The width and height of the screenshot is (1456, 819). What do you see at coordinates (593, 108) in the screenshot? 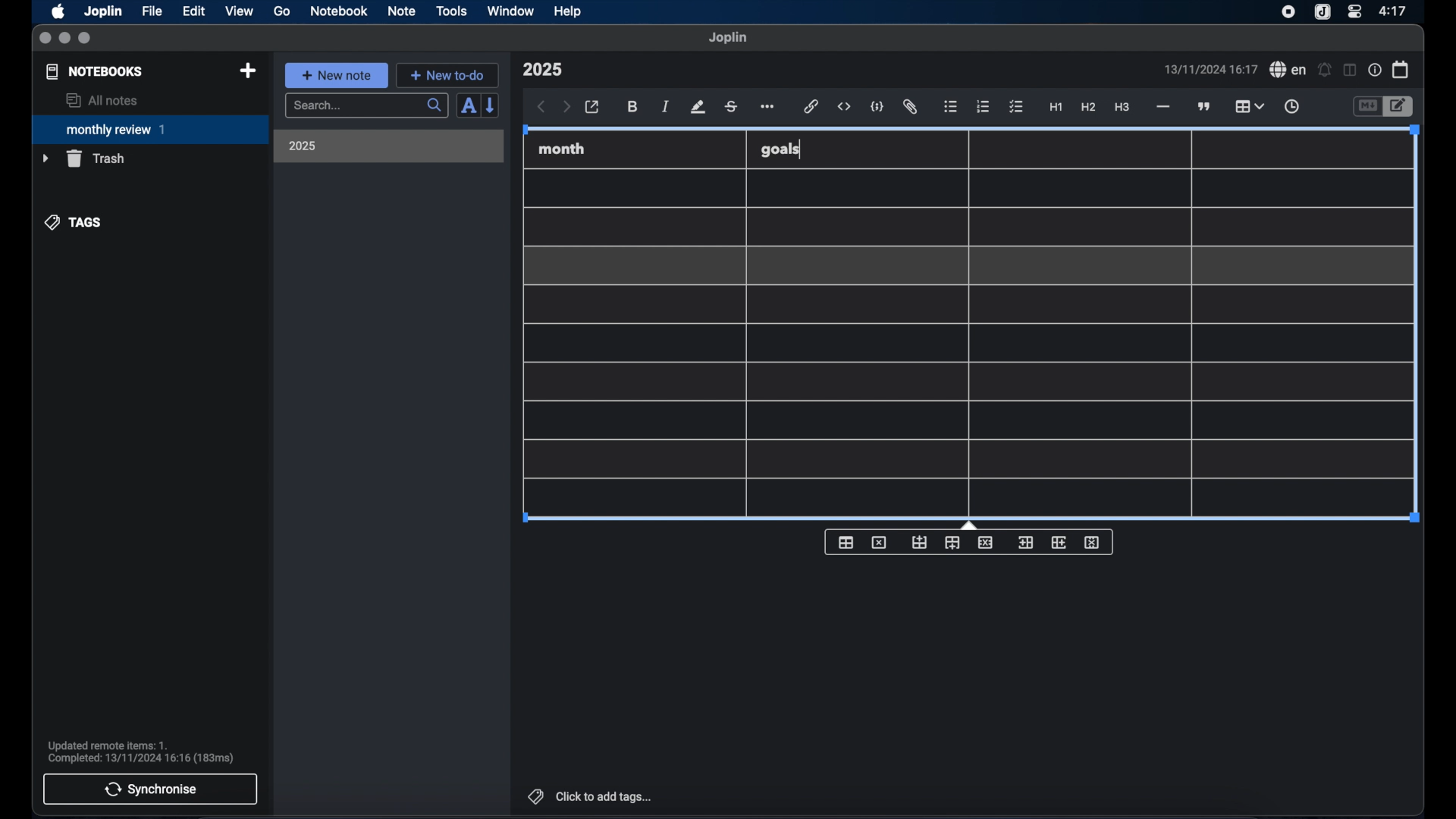
I see `open in external editor` at bounding box center [593, 108].